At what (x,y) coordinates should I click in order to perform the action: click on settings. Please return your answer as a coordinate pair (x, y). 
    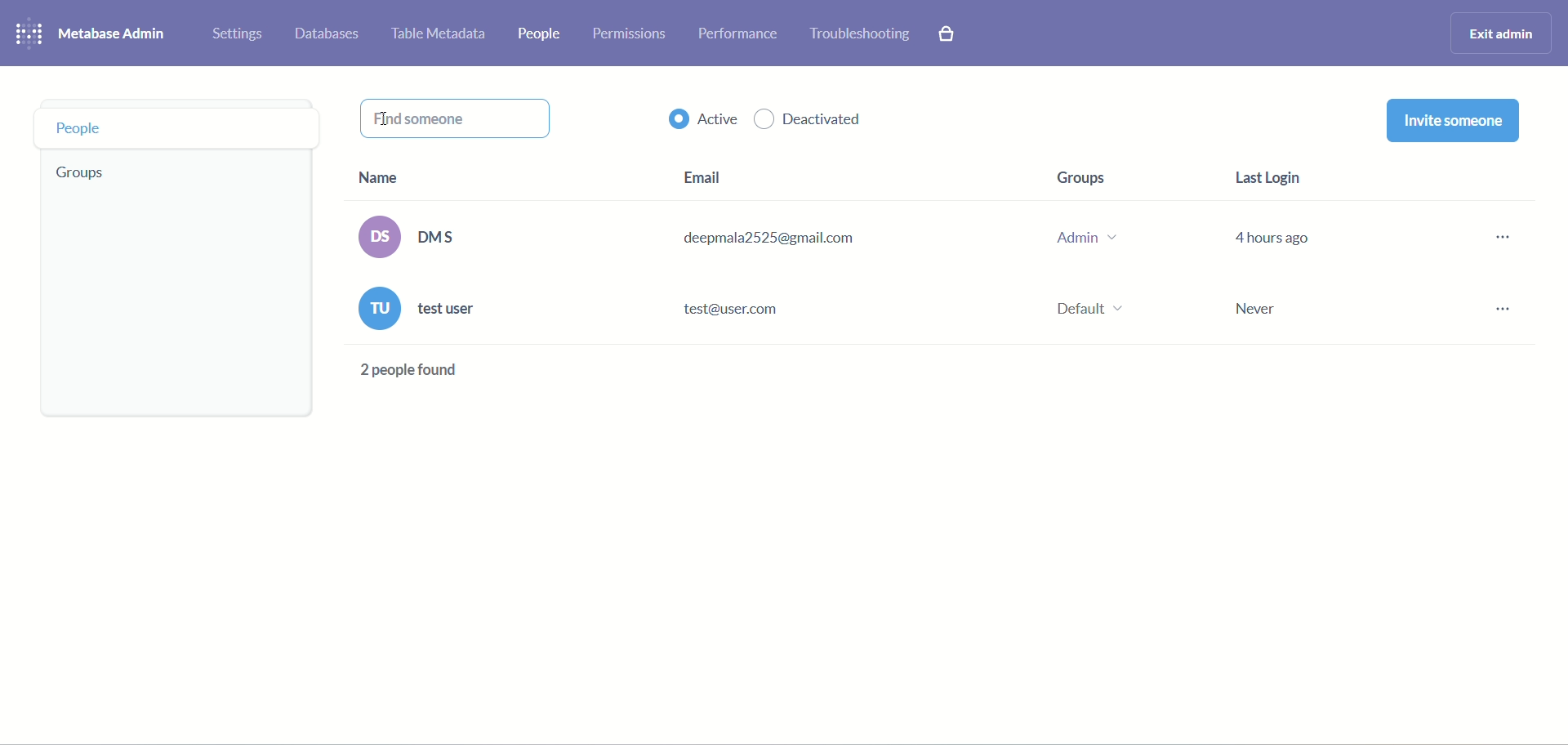
    Looking at the image, I should click on (238, 34).